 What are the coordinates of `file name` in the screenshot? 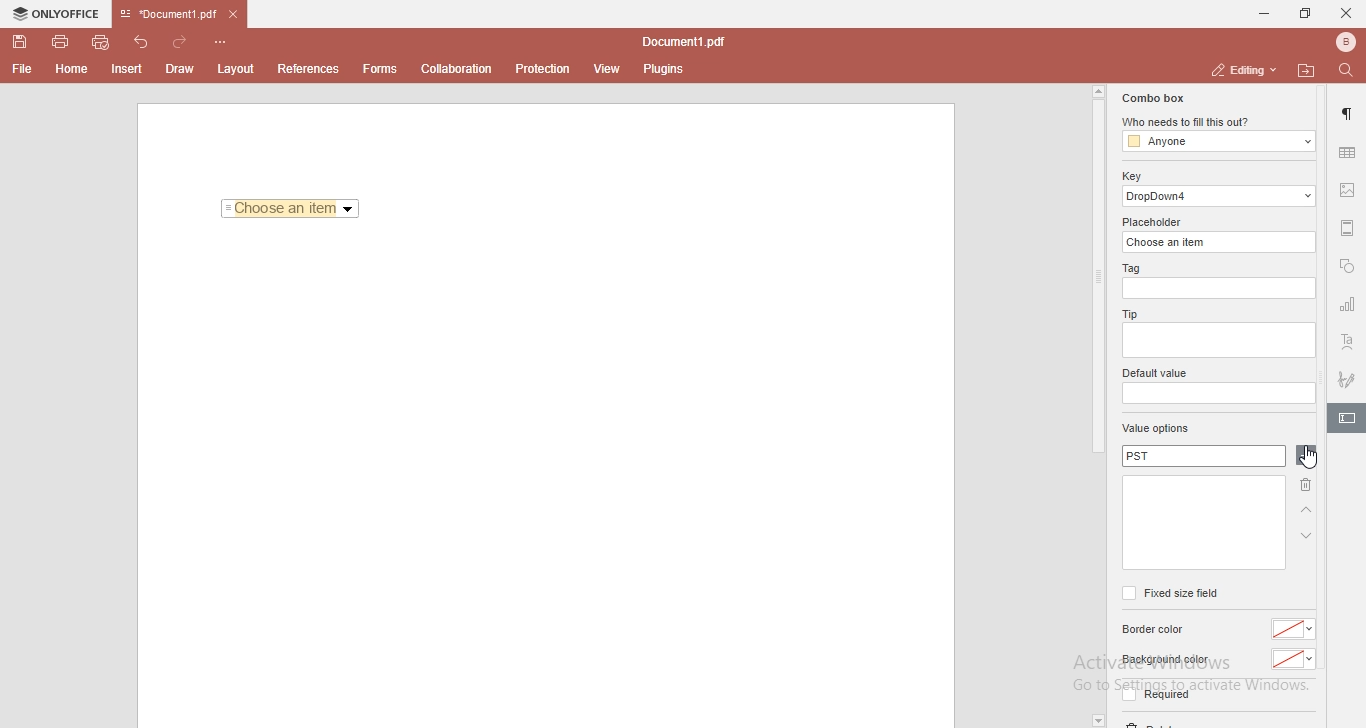 It's located at (688, 43).